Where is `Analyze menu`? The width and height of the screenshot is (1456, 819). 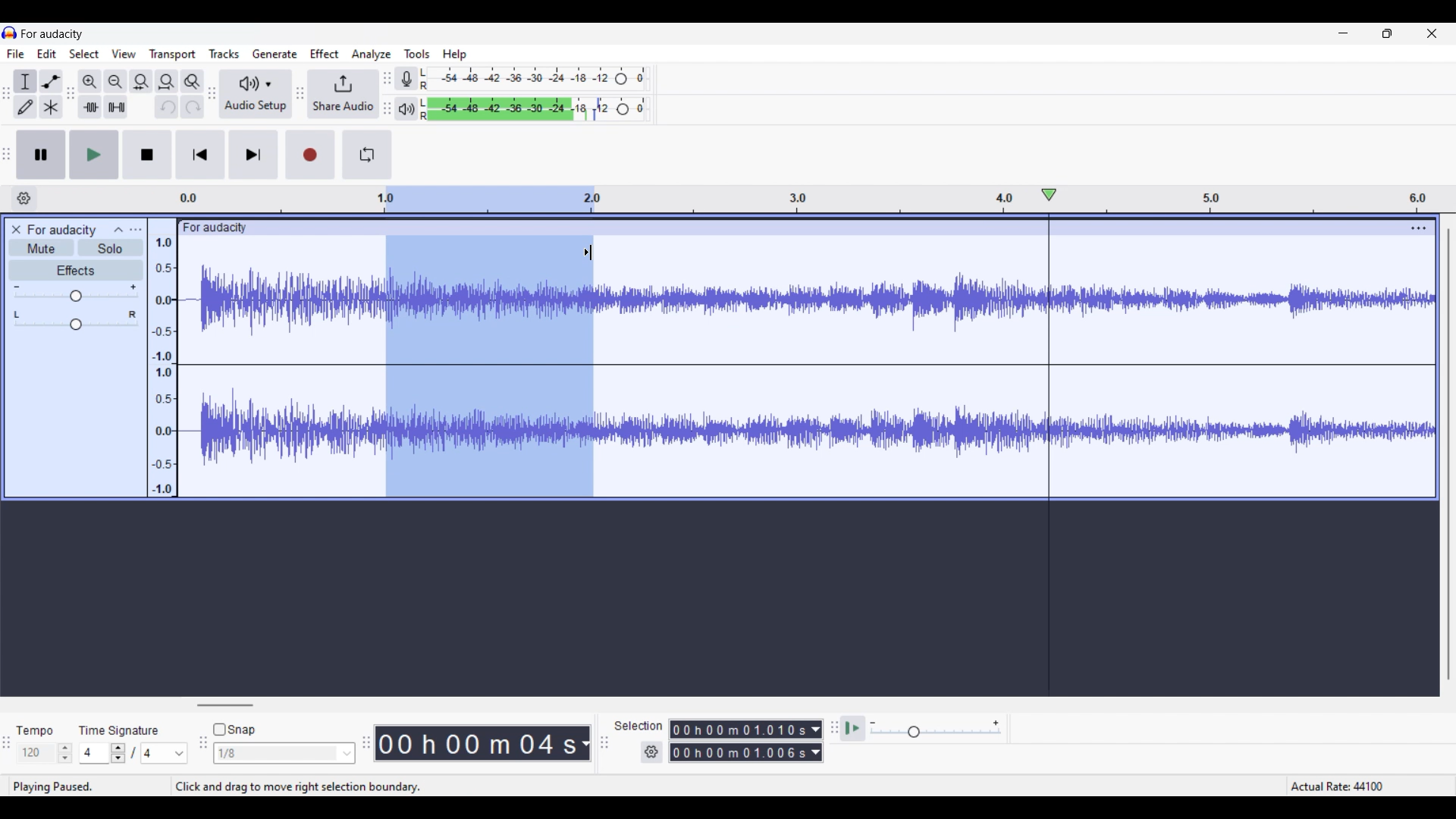
Analyze menu is located at coordinates (371, 55).